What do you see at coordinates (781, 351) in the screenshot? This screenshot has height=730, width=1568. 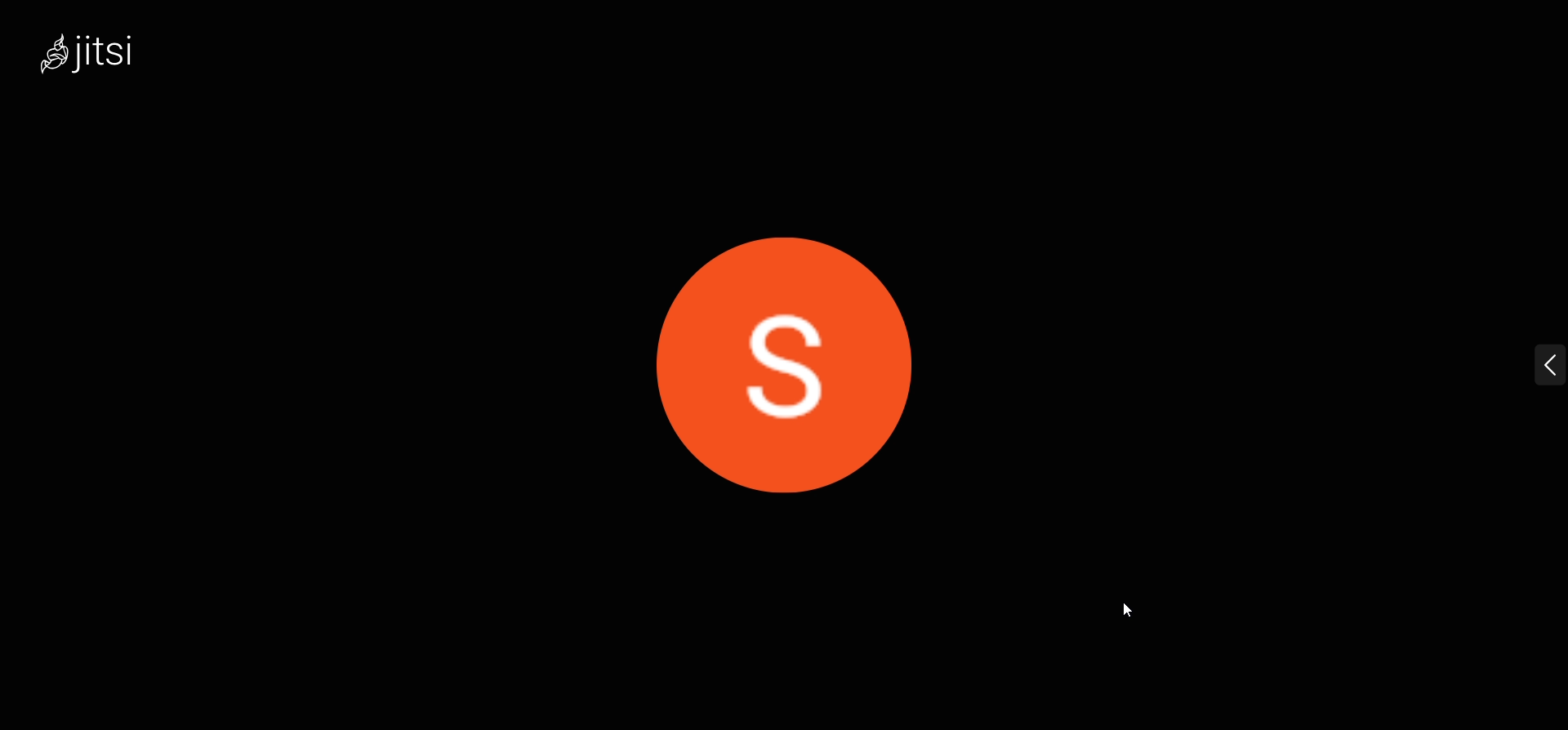 I see `display picture` at bounding box center [781, 351].